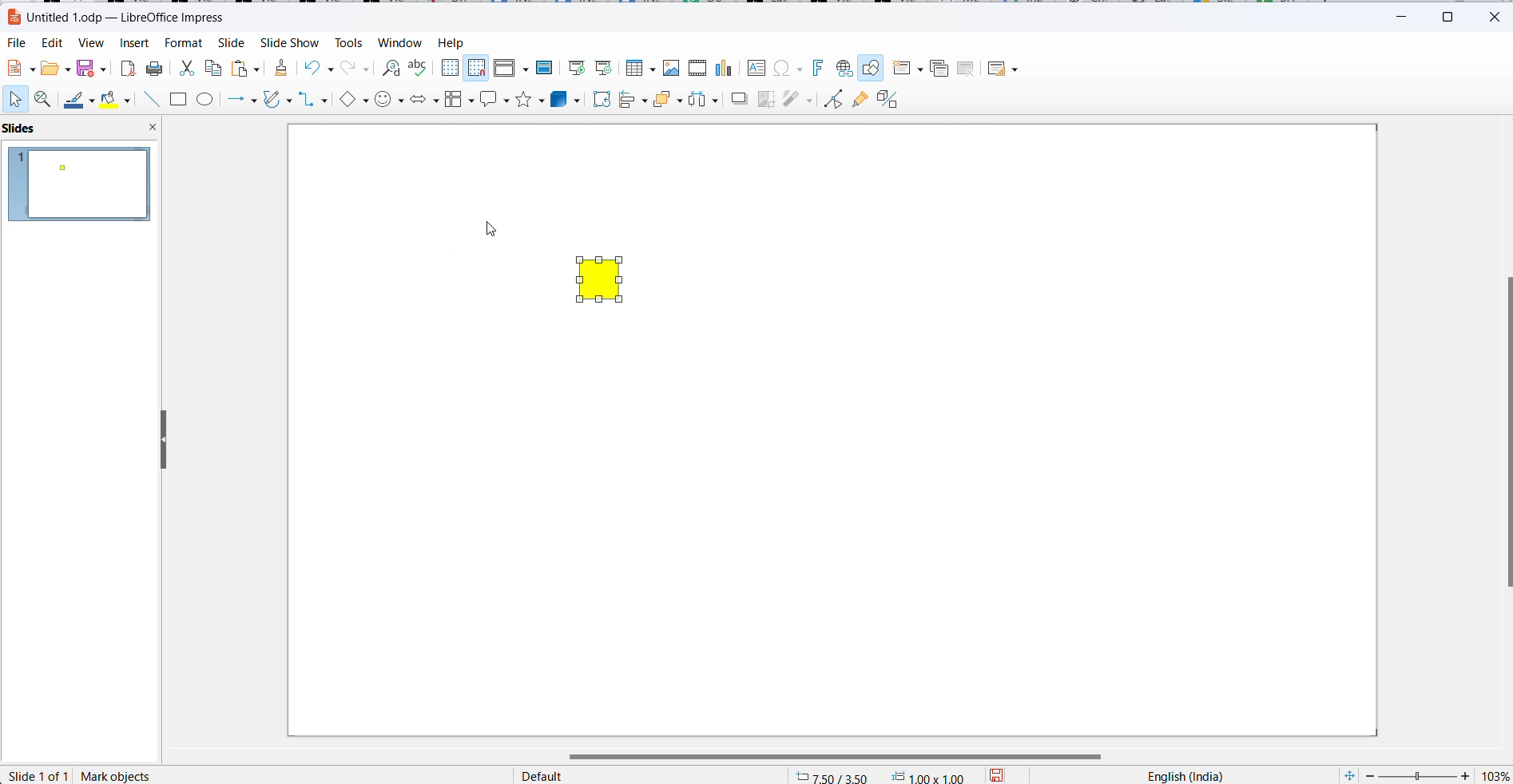 Image resolution: width=1513 pixels, height=784 pixels. Describe the element at coordinates (91, 44) in the screenshot. I see `View` at that location.